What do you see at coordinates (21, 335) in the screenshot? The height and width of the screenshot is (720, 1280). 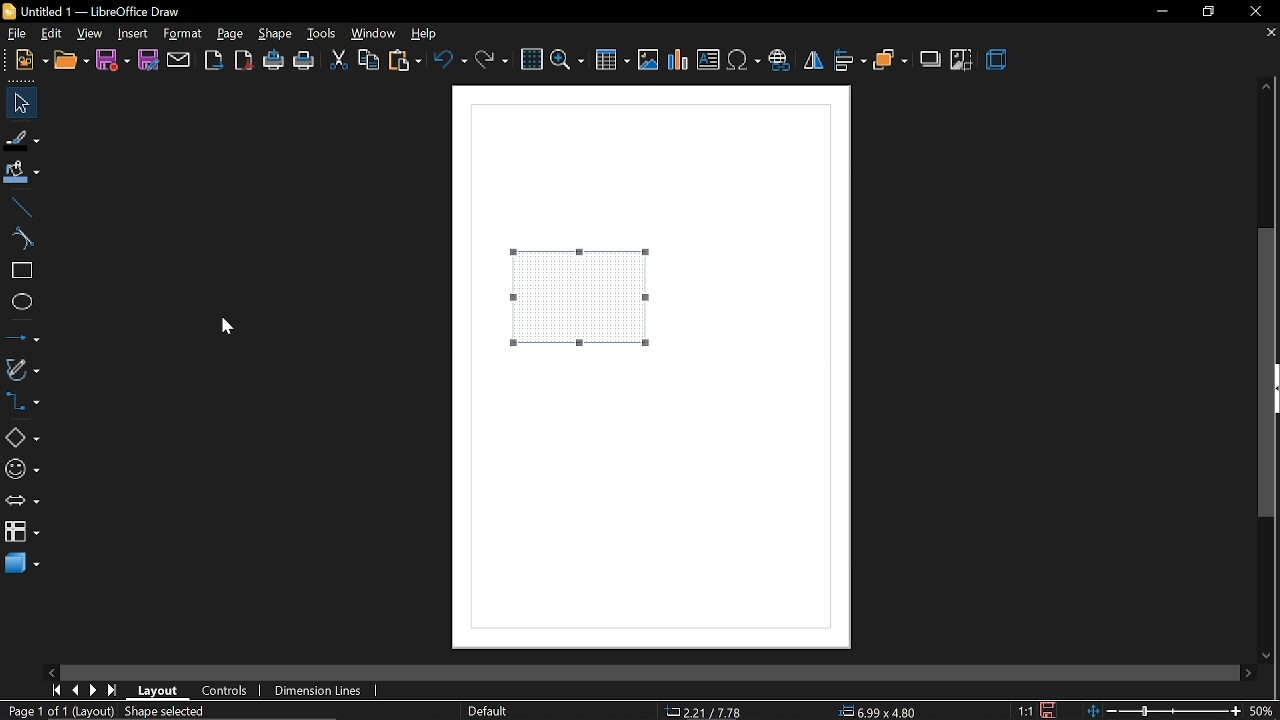 I see `lines and arrow` at bounding box center [21, 335].